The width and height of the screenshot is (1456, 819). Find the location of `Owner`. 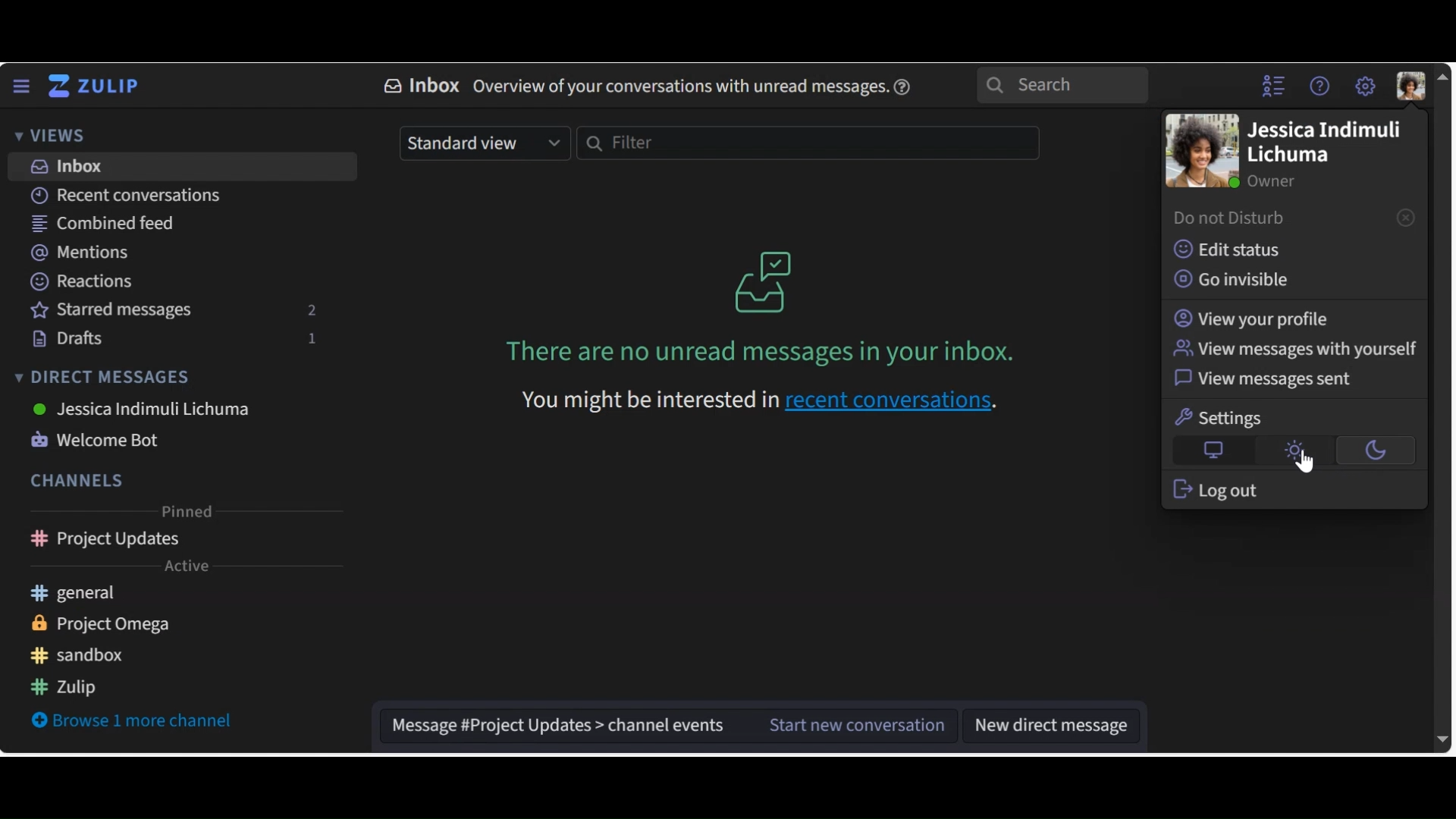

Owner is located at coordinates (1272, 180).